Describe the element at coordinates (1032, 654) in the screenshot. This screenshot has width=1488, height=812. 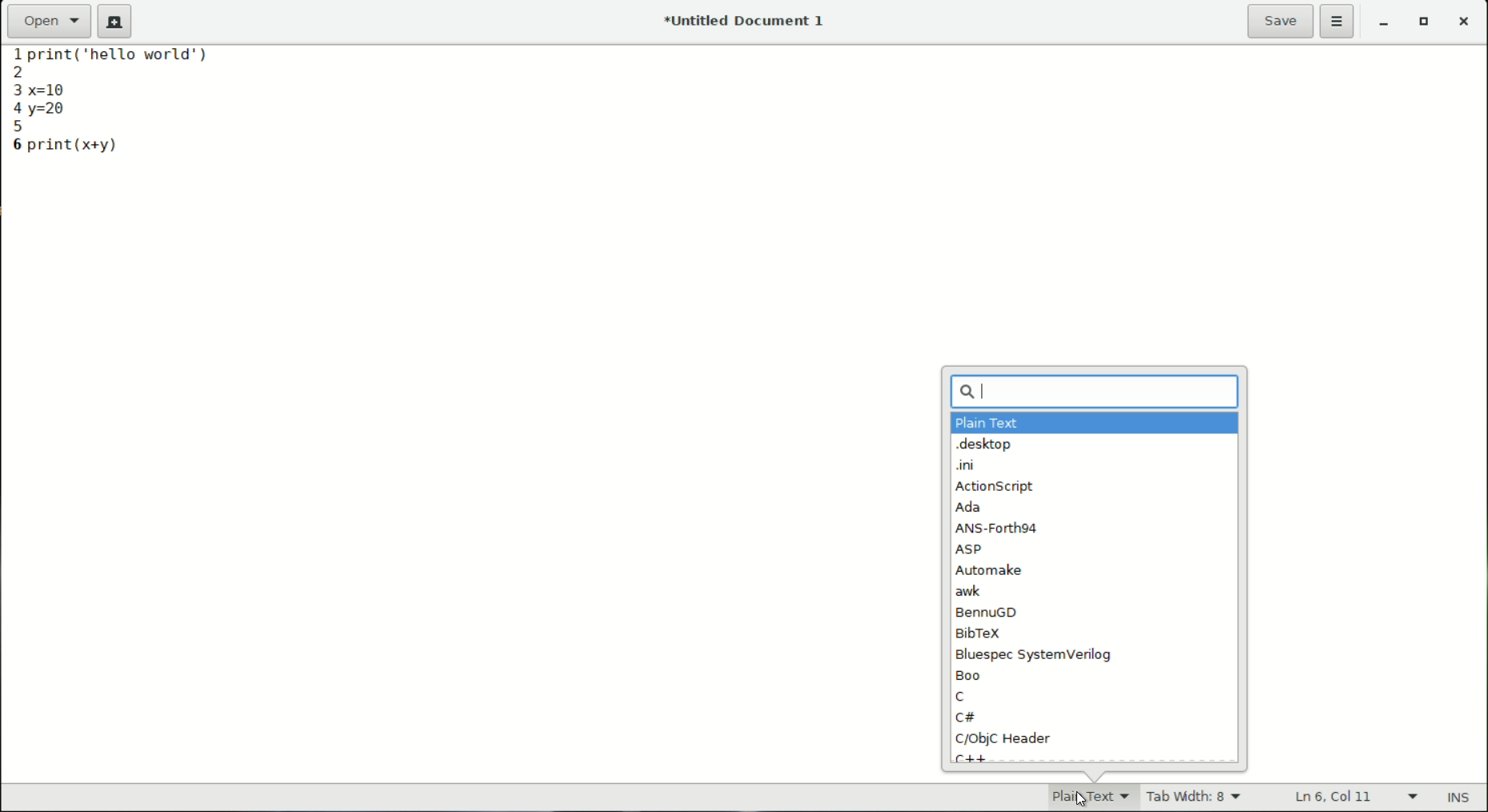
I see `bluespace systemverilog` at that location.